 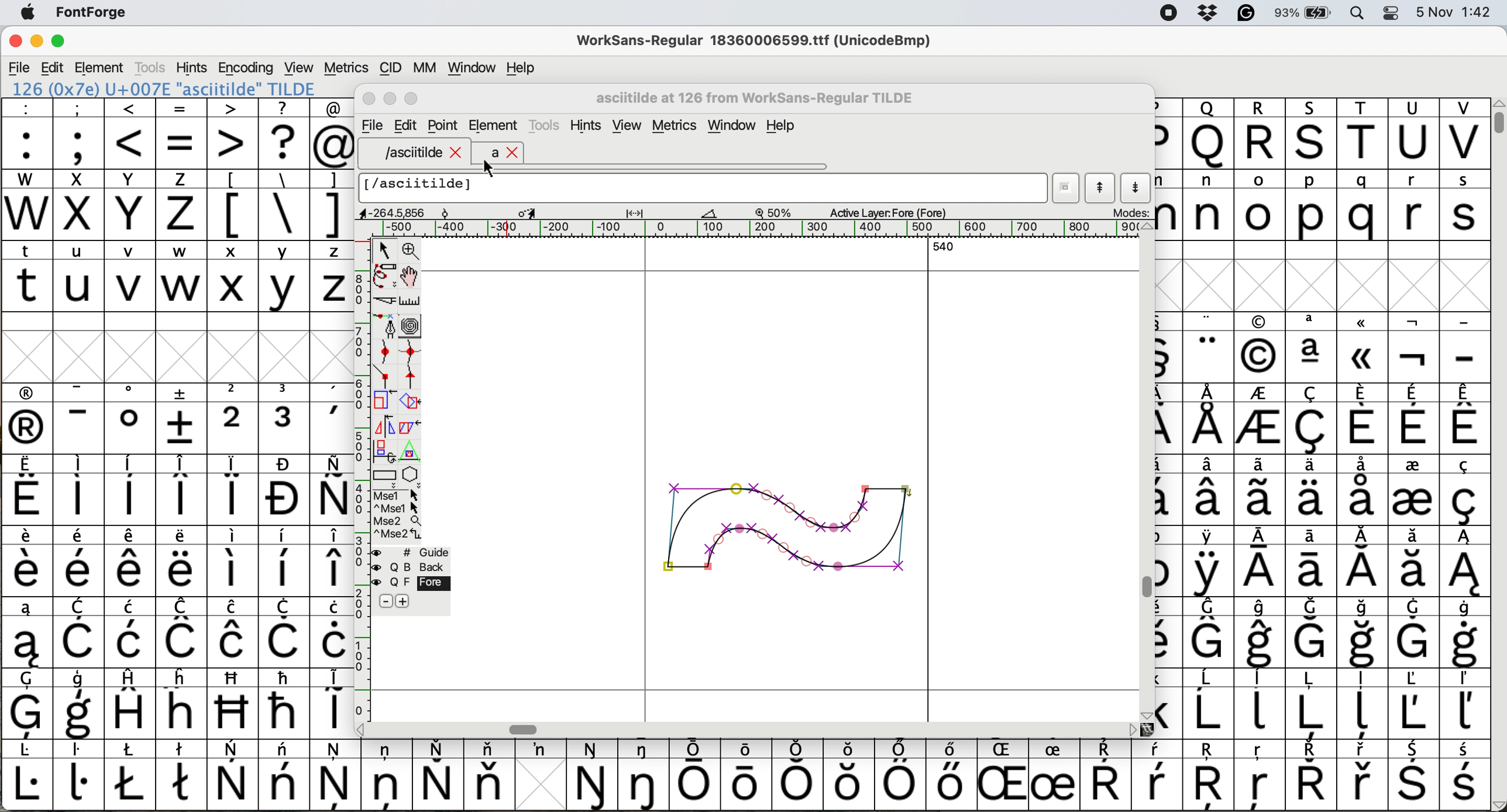 I want to click on w, so click(x=181, y=277).